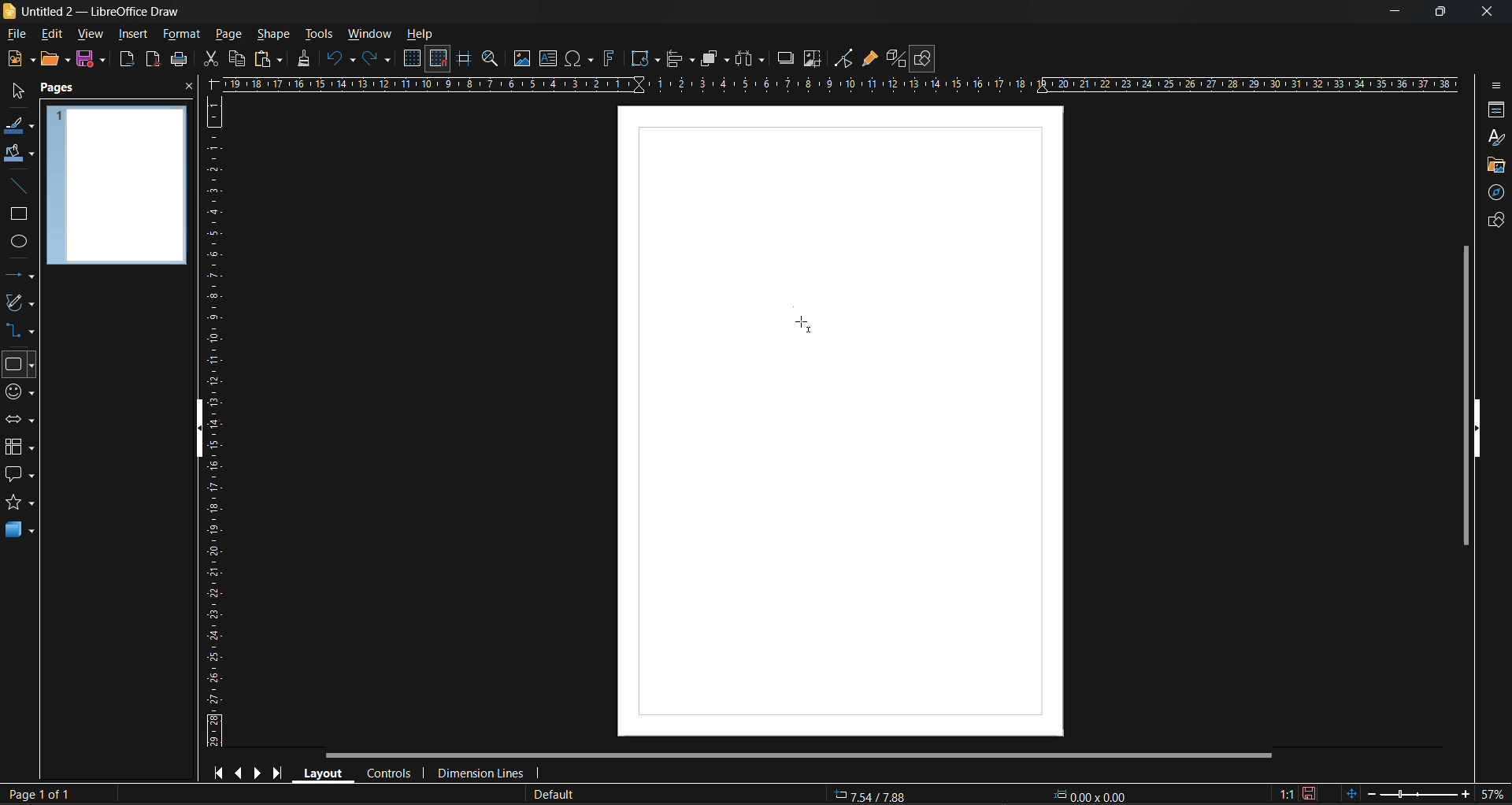 The height and width of the screenshot is (805, 1512). I want to click on insert line, so click(24, 188).